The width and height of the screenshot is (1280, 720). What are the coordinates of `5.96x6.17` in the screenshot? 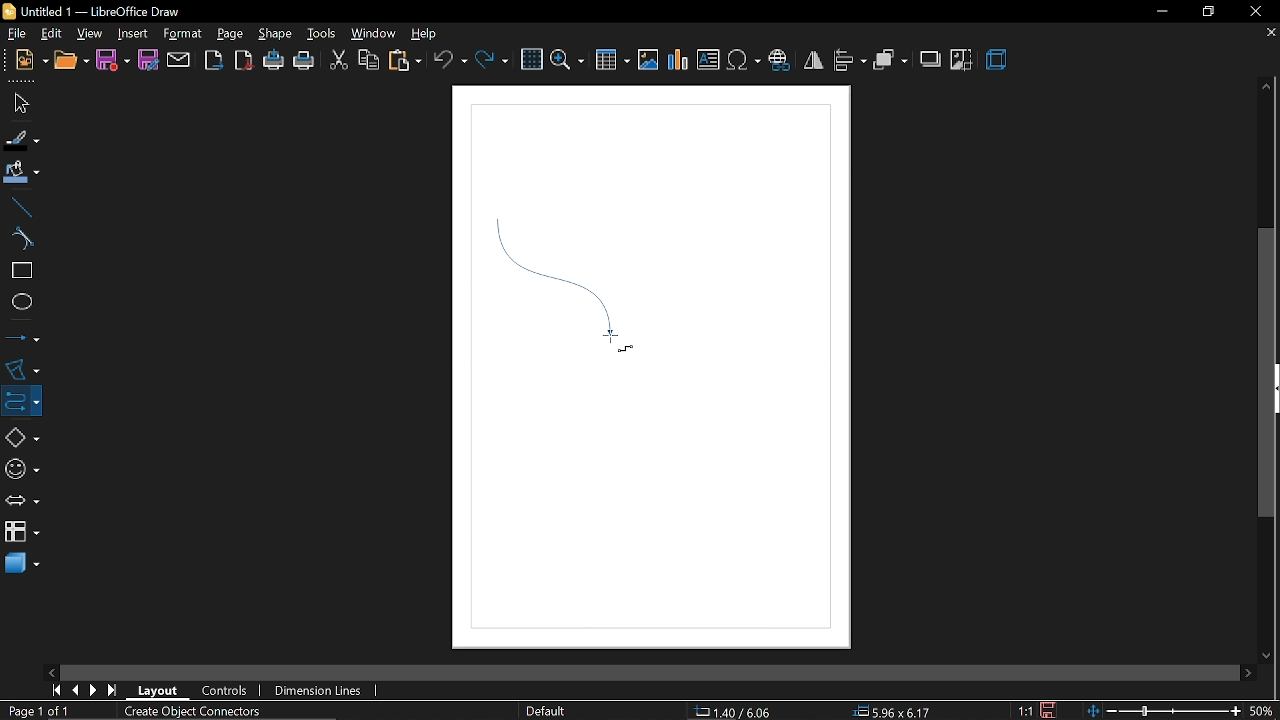 It's located at (891, 710).